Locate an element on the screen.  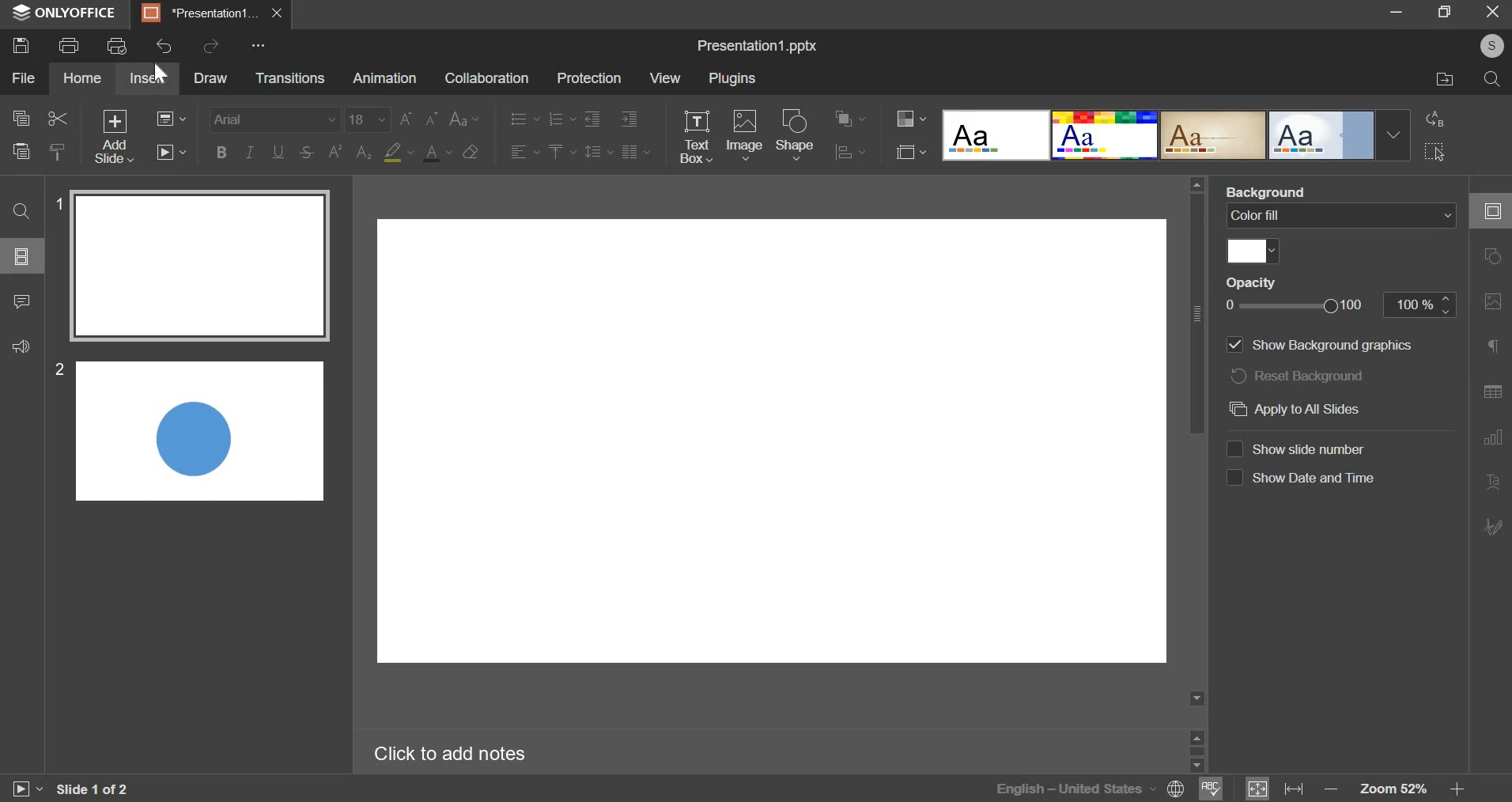
select is located at coordinates (1438, 153).